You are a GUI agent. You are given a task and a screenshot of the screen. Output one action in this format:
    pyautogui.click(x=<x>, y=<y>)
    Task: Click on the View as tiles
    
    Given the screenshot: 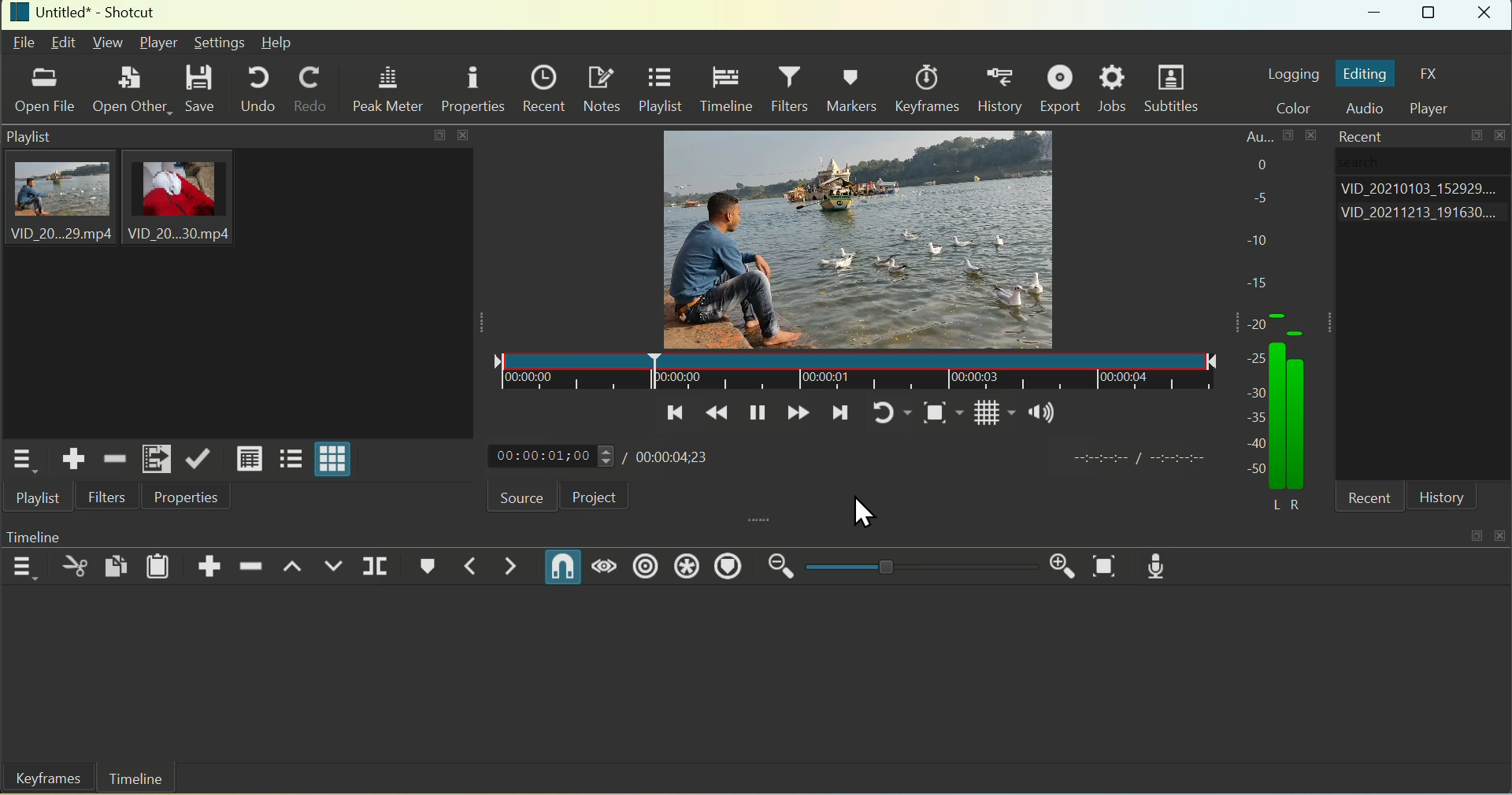 What is the action you would take?
    pyautogui.click(x=289, y=460)
    